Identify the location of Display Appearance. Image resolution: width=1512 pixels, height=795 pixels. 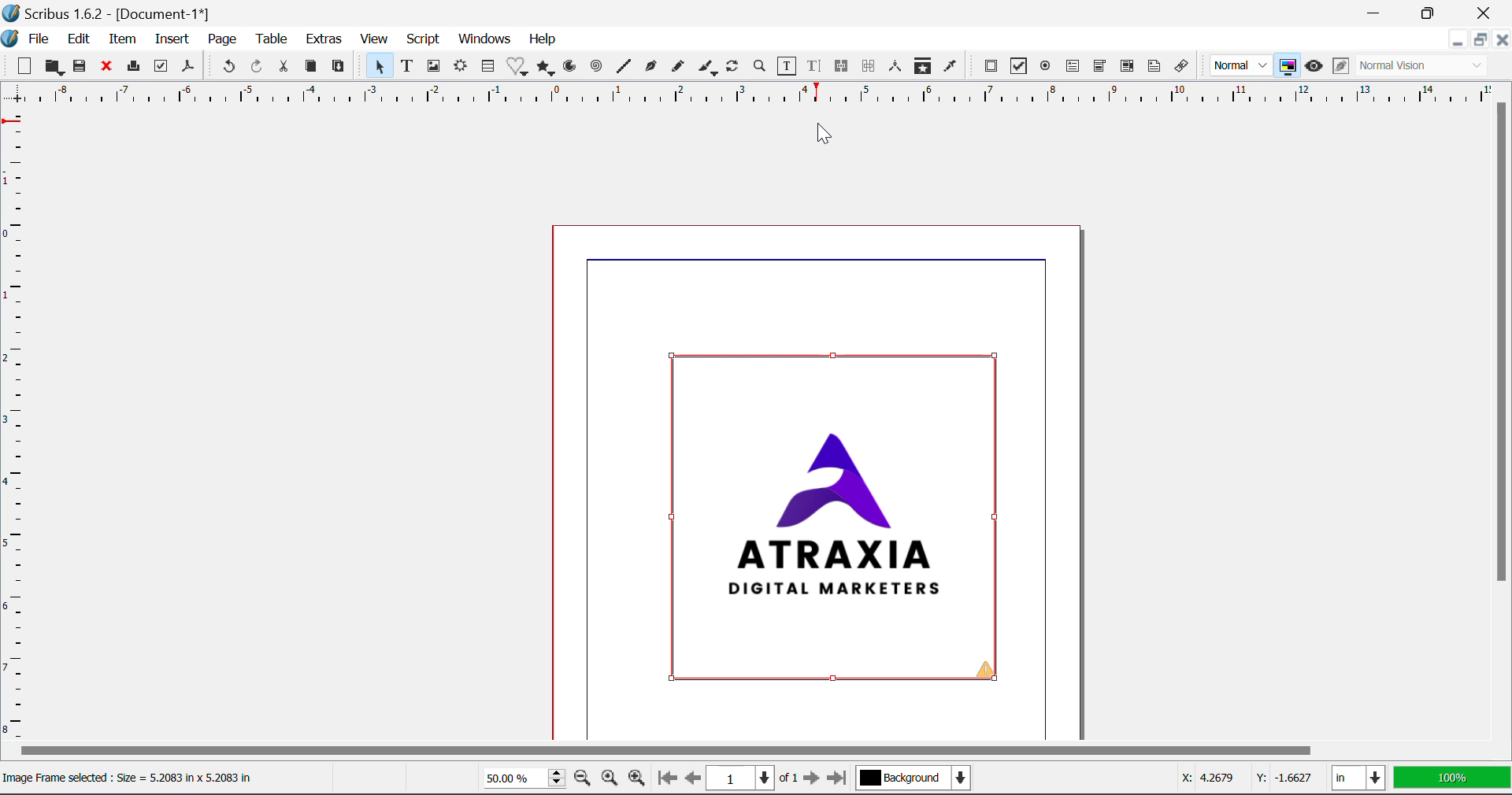
(1427, 66).